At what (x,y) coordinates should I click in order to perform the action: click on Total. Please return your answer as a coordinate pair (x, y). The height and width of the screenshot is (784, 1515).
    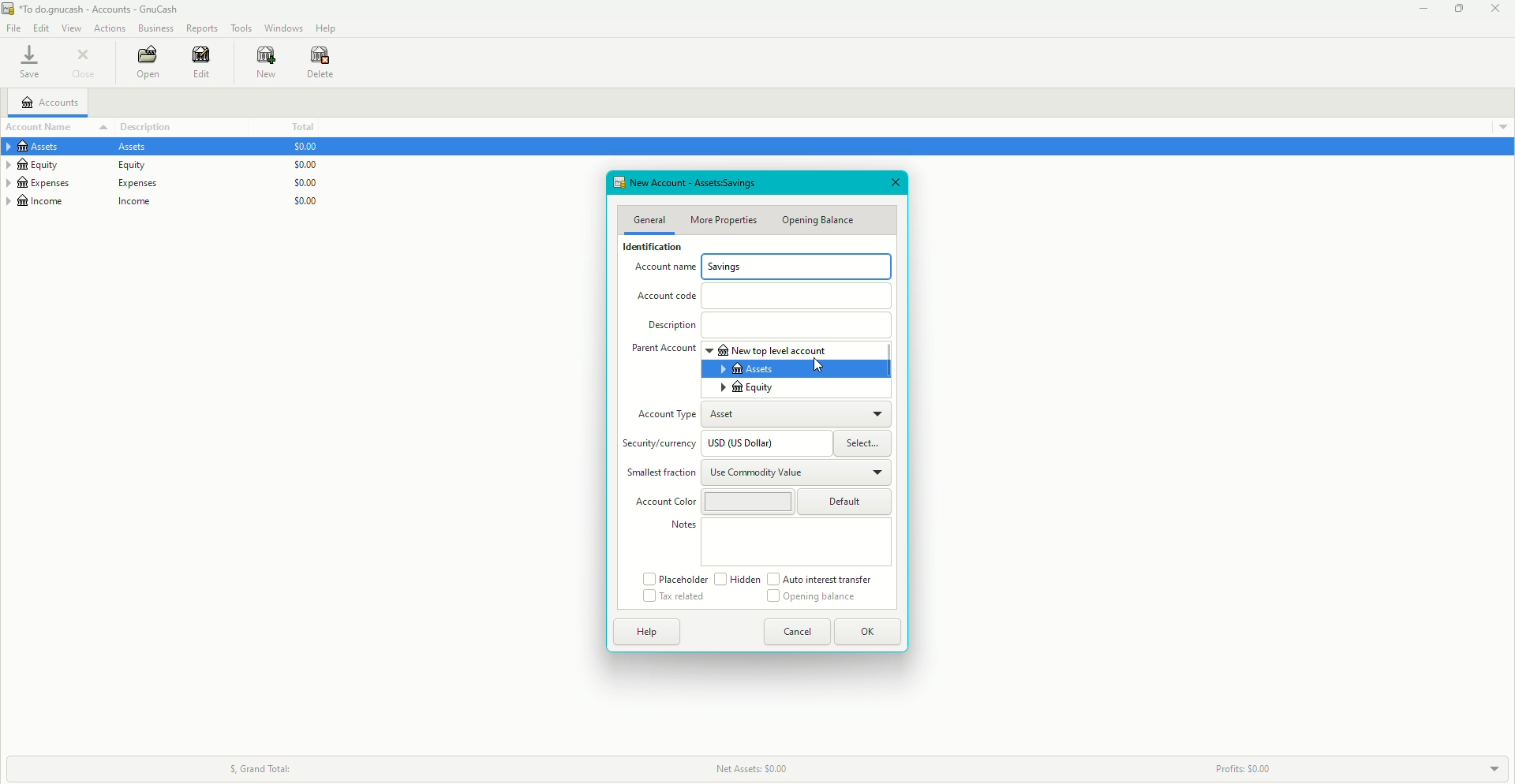
    Looking at the image, I should click on (301, 127).